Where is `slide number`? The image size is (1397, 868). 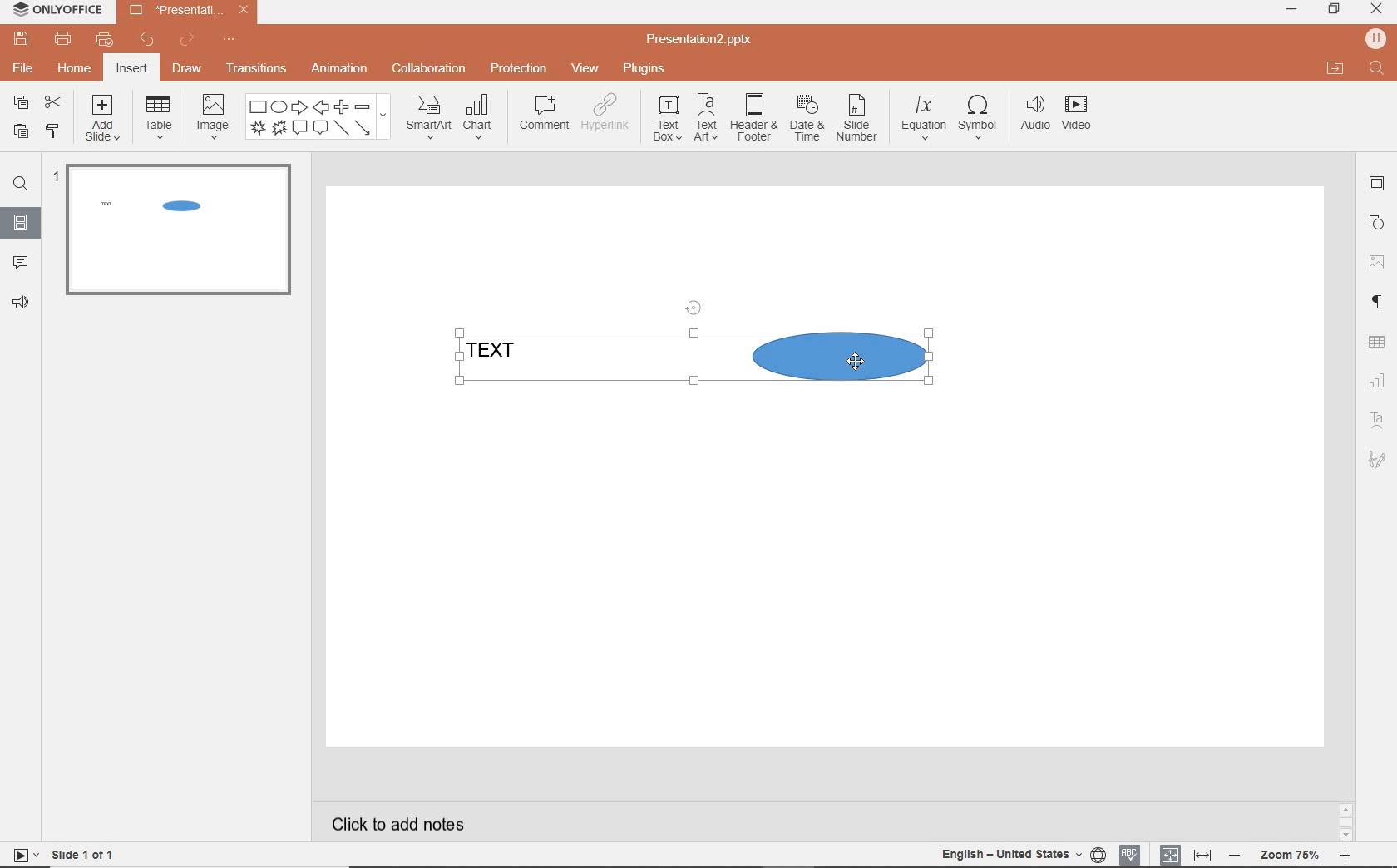 slide number is located at coordinates (856, 121).